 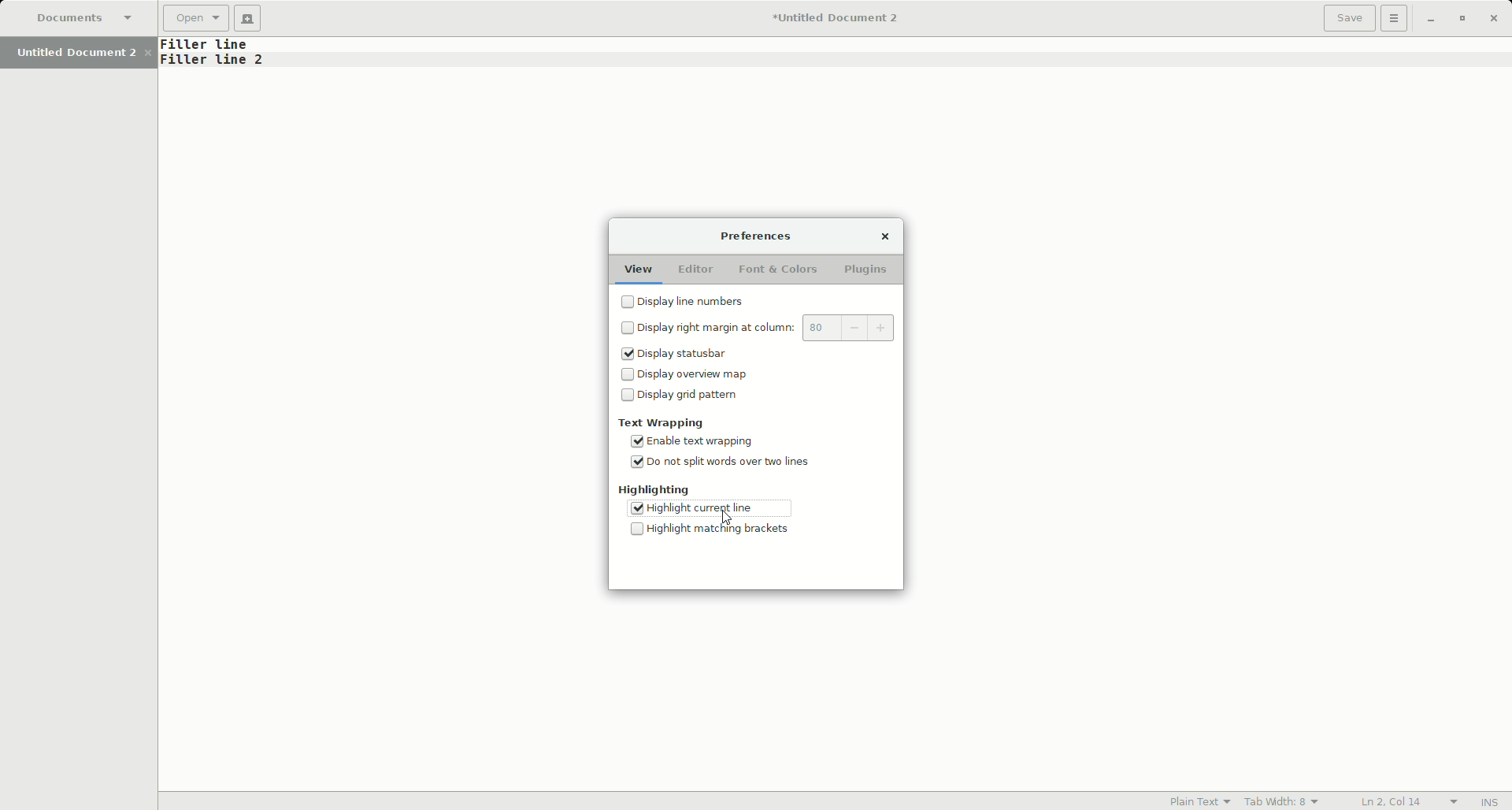 I want to click on Options, so click(x=1395, y=19).